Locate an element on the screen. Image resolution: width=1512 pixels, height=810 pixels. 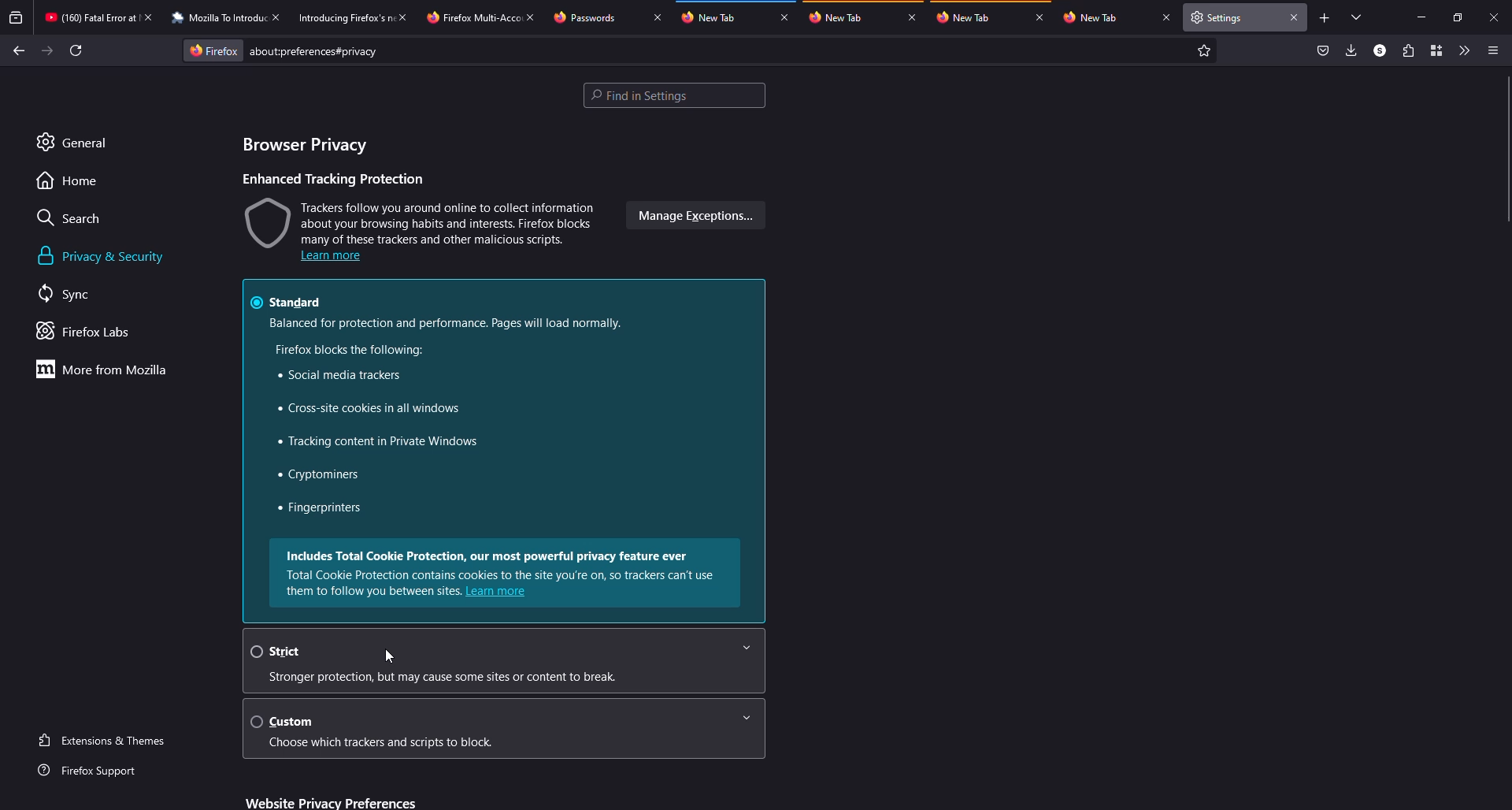
more tools is located at coordinates (1464, 50).